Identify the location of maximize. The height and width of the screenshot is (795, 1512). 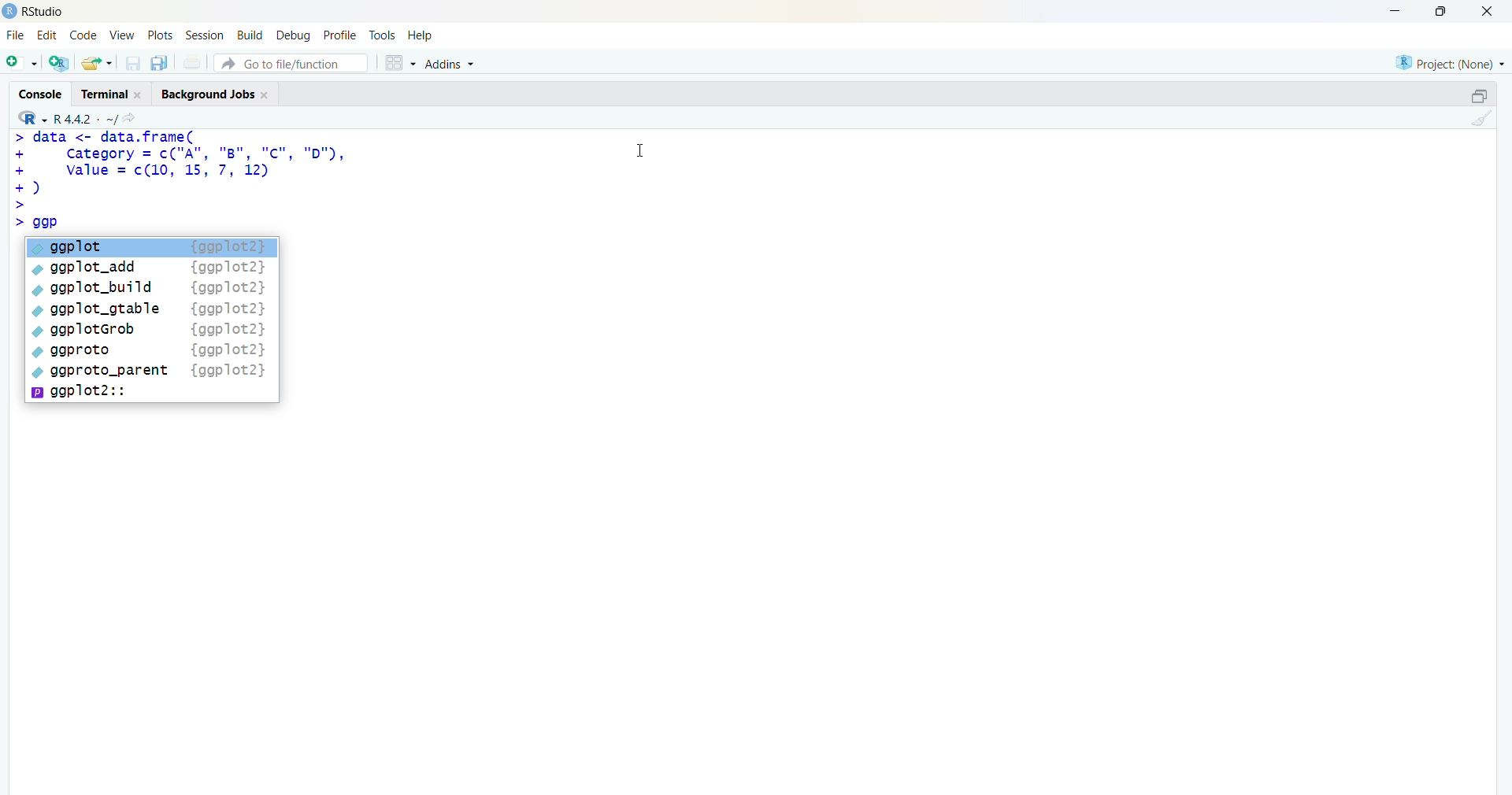
(1479, 96).